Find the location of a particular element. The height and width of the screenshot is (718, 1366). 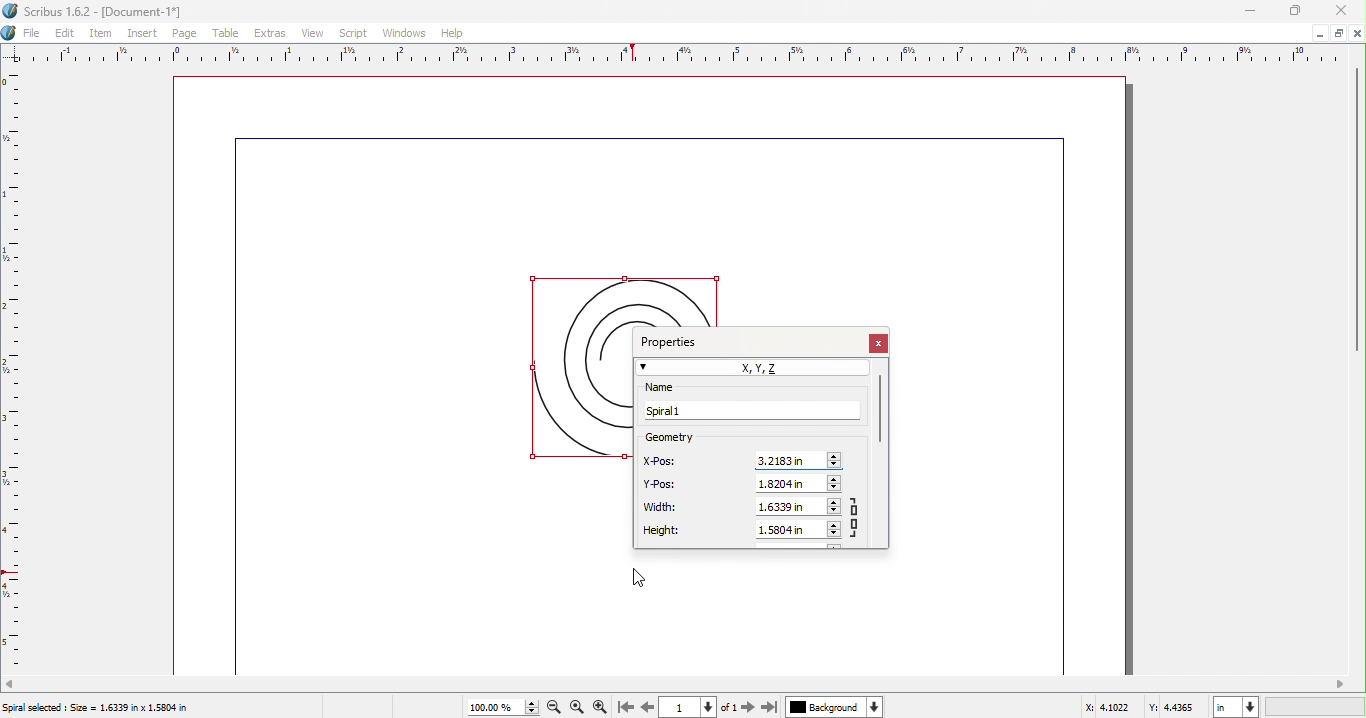

change unit is located at coordinates (1252, 707).